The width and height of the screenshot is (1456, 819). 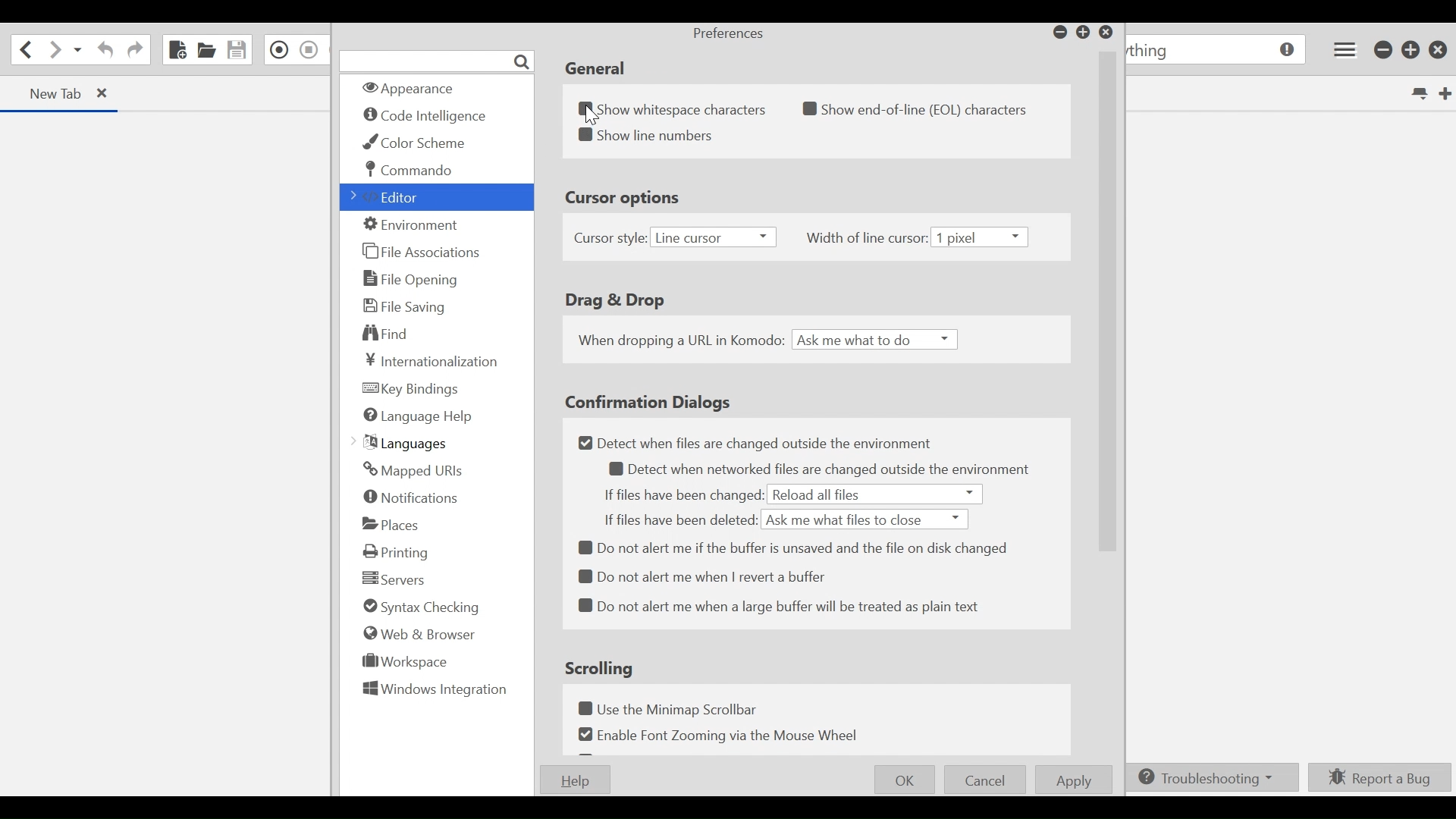 I want to click on Code intelligence, so click(x=428, y=116).